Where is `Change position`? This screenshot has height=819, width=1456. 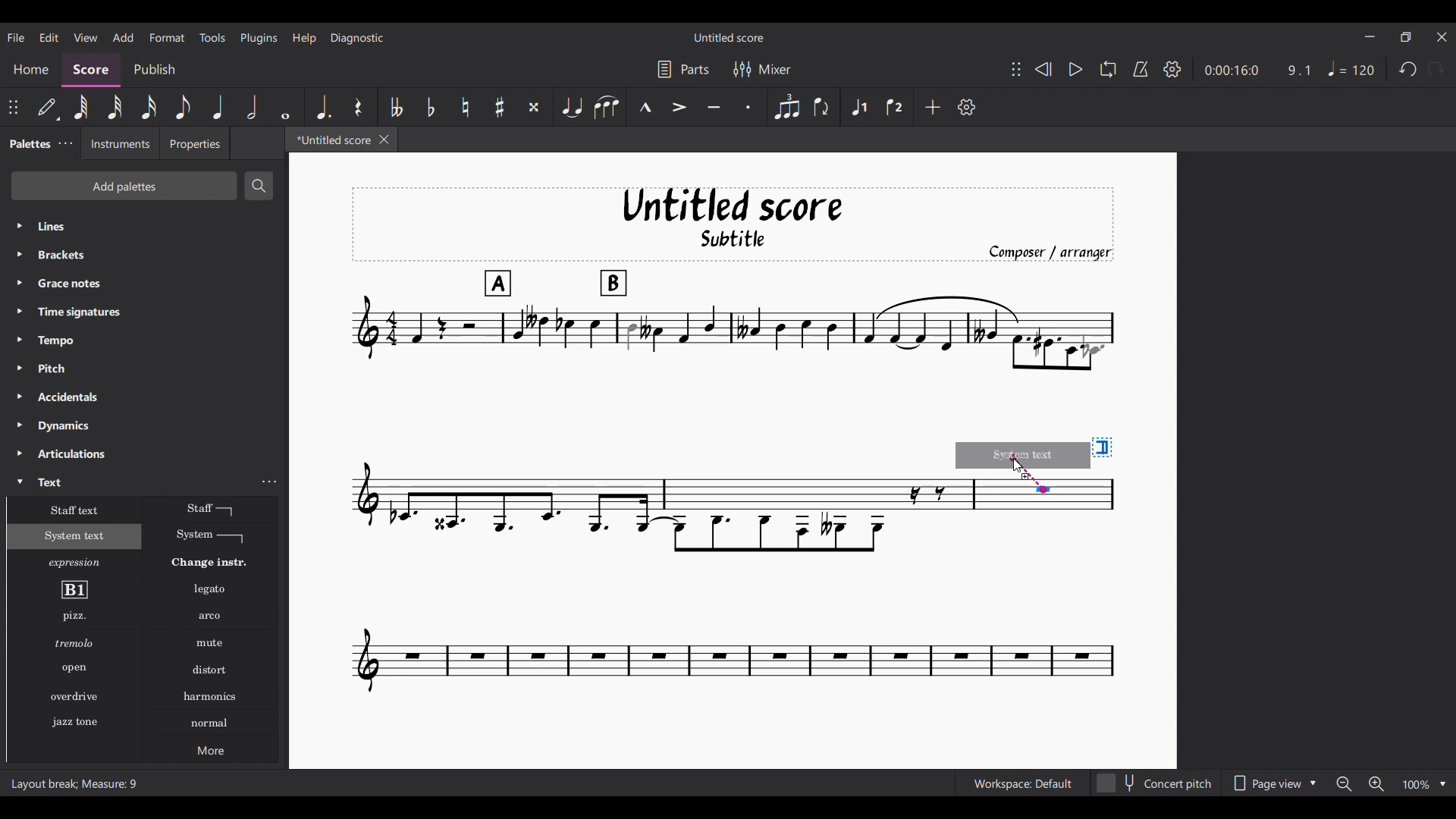 Change position is located at coordinates (1016, 69).